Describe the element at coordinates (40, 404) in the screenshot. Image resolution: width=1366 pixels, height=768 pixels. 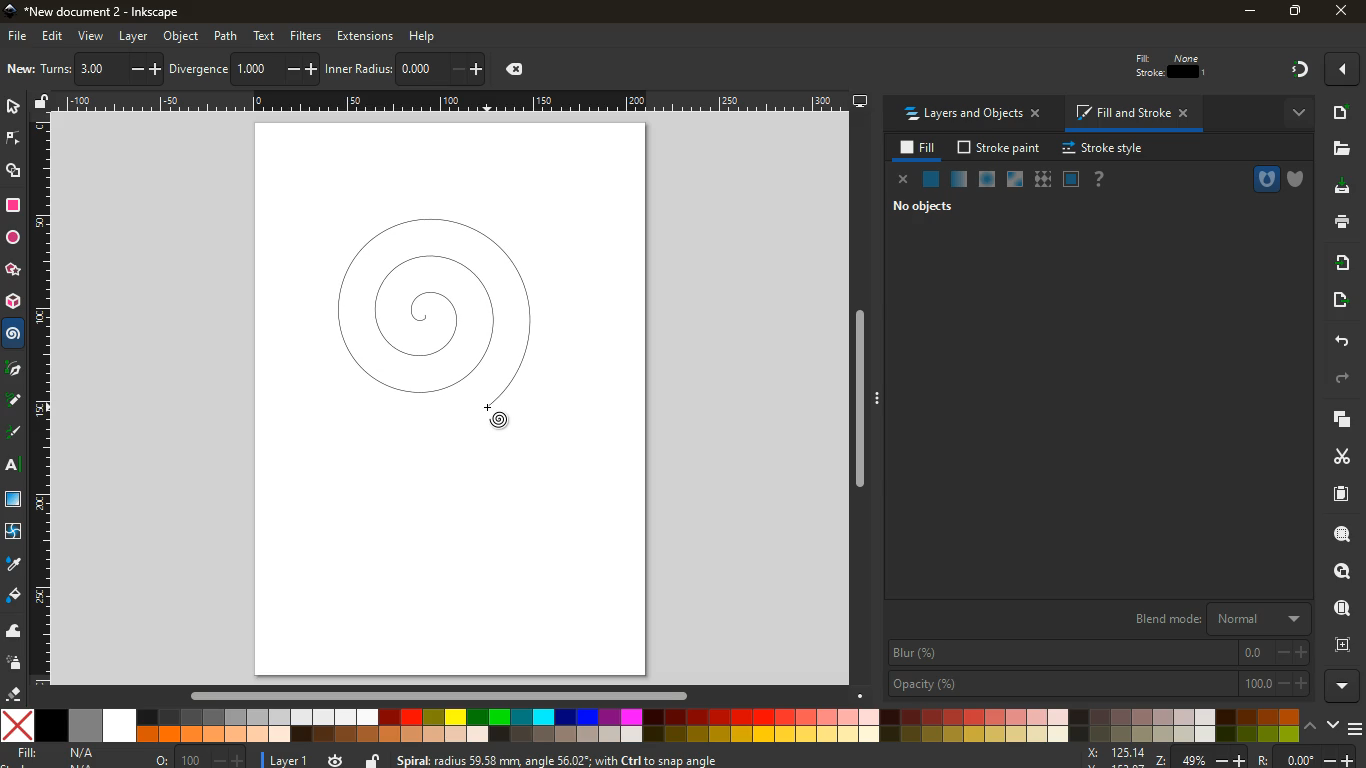
I see `` at that location.